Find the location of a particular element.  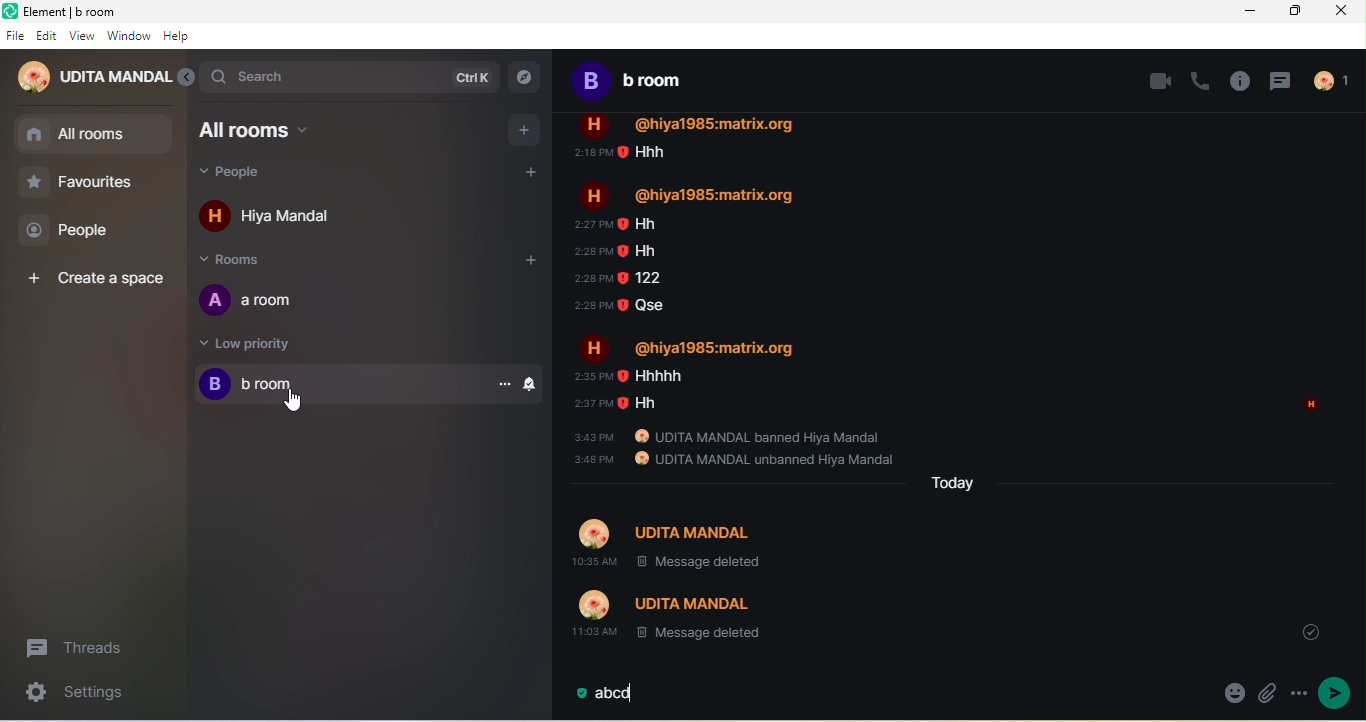

view is located at coordinates (82, 39).